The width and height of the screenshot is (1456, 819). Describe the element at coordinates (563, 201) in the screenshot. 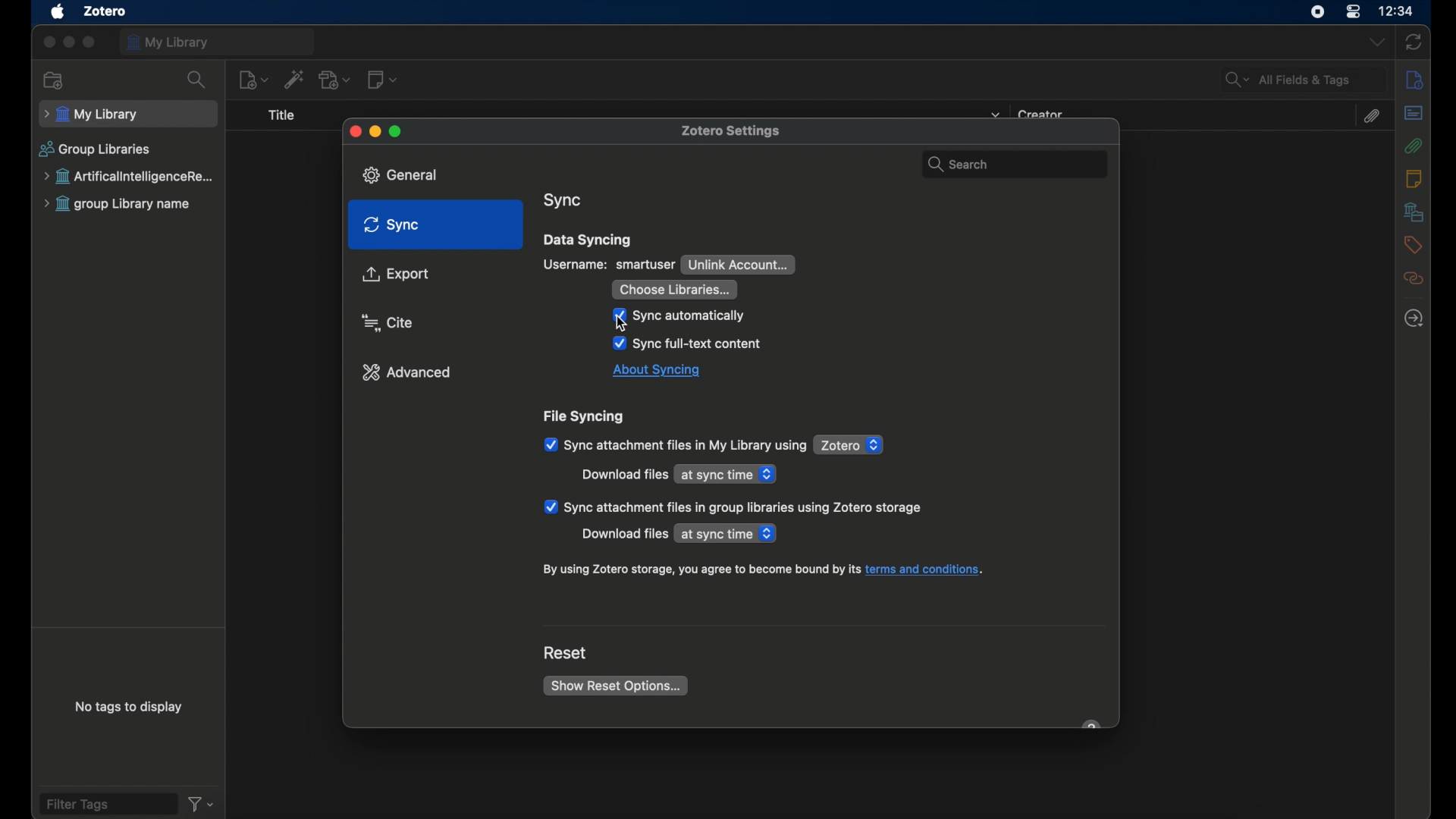

I see `sync` at that location.